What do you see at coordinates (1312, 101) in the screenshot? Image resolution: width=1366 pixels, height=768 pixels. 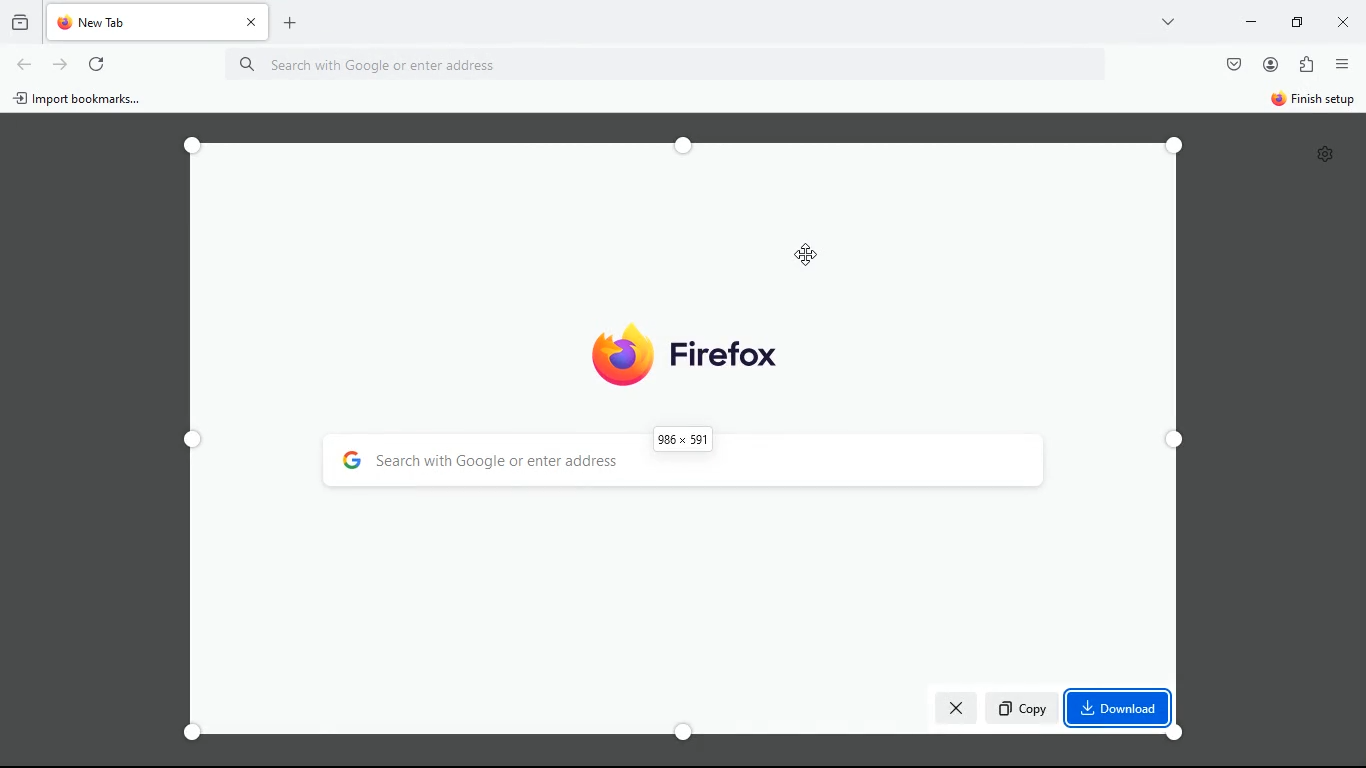 I see `finish setup` at bounding box center [1312, 101].